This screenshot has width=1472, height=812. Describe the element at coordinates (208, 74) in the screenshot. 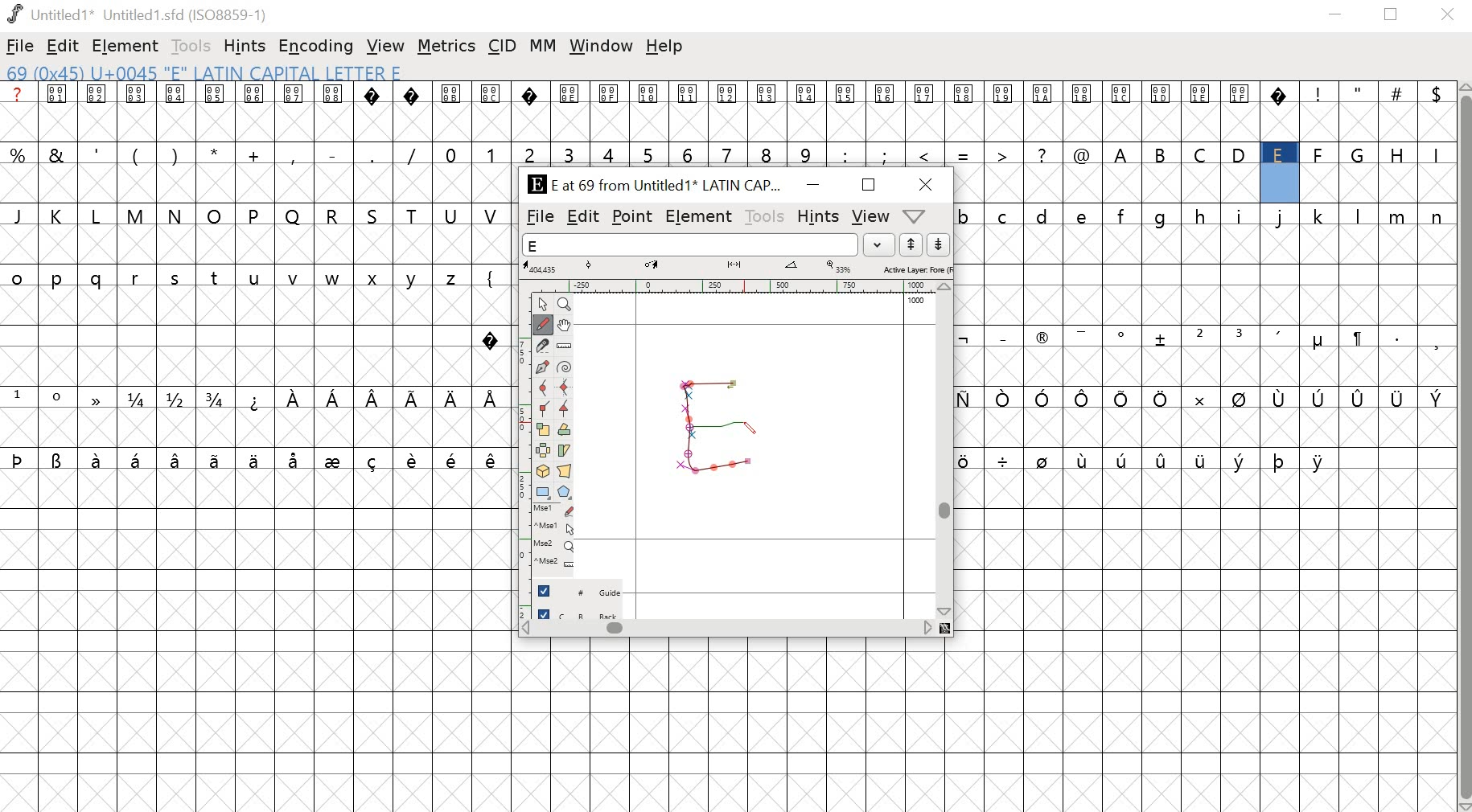

I see `69 (0x45) U+0045 "E" LATIN CAPITAL Letter E` at that location.